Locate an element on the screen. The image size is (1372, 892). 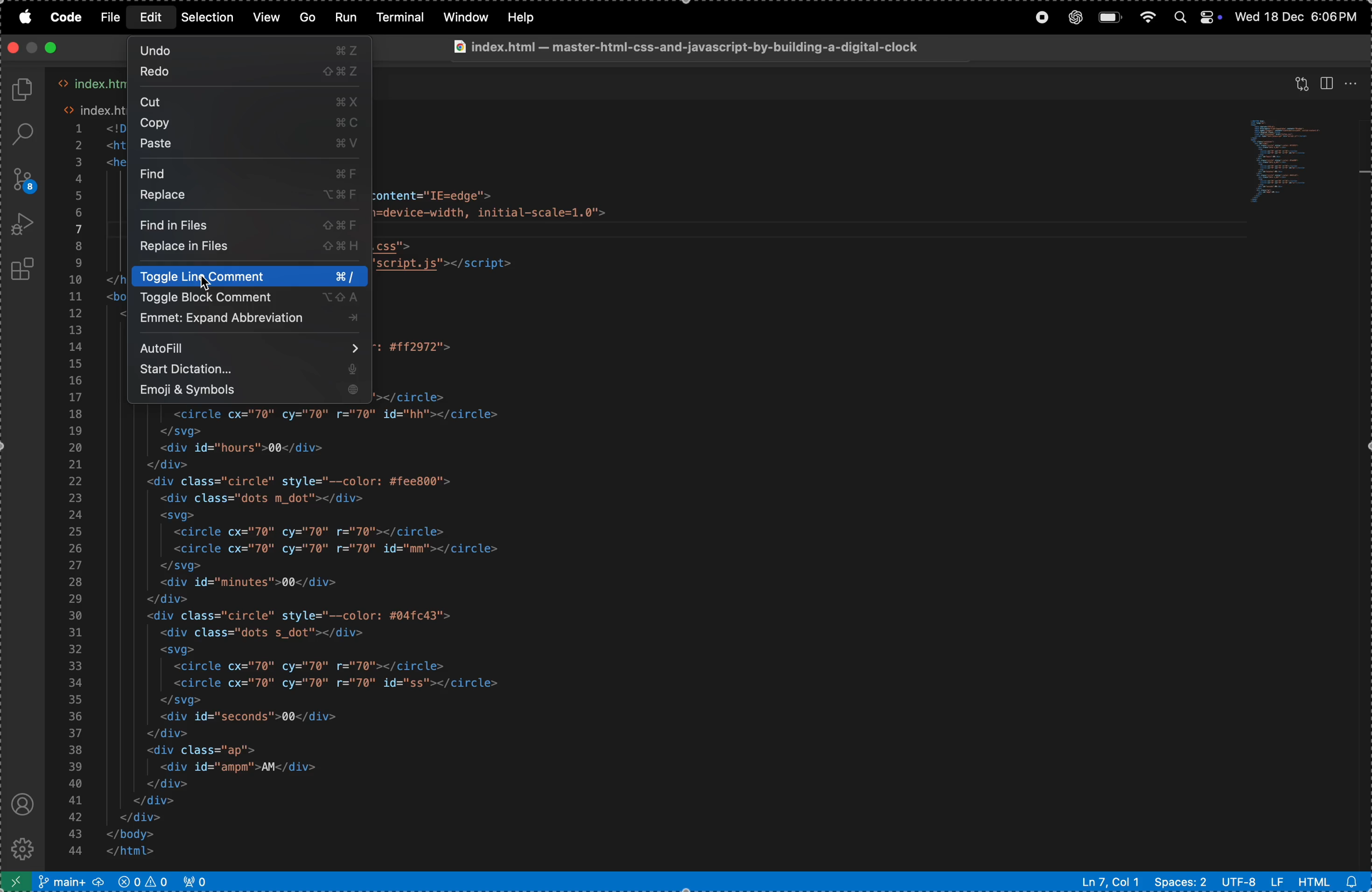
help is located at coordinates (526, 16).